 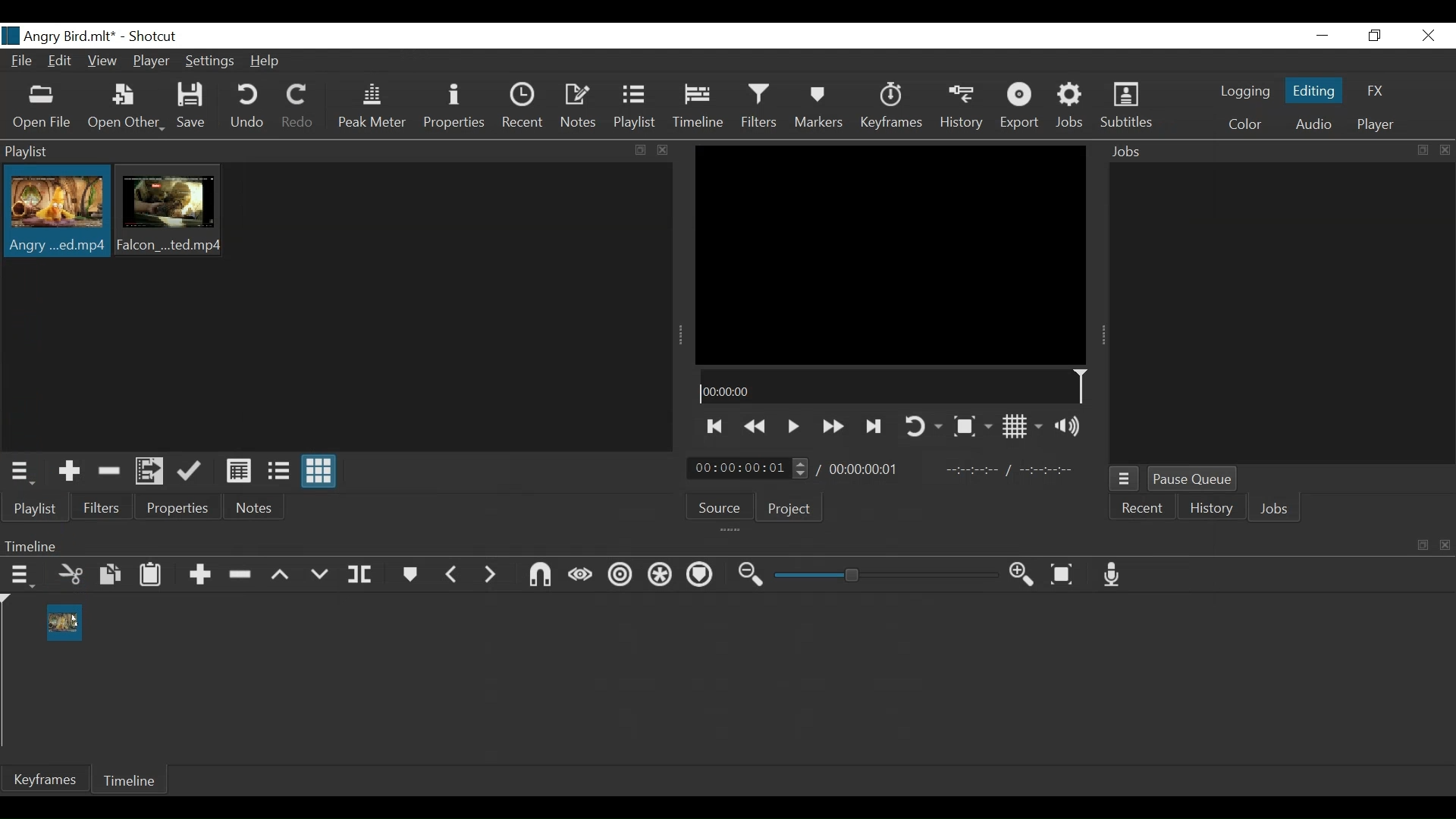 I want to click on logging, so click(x=1246, y=91).